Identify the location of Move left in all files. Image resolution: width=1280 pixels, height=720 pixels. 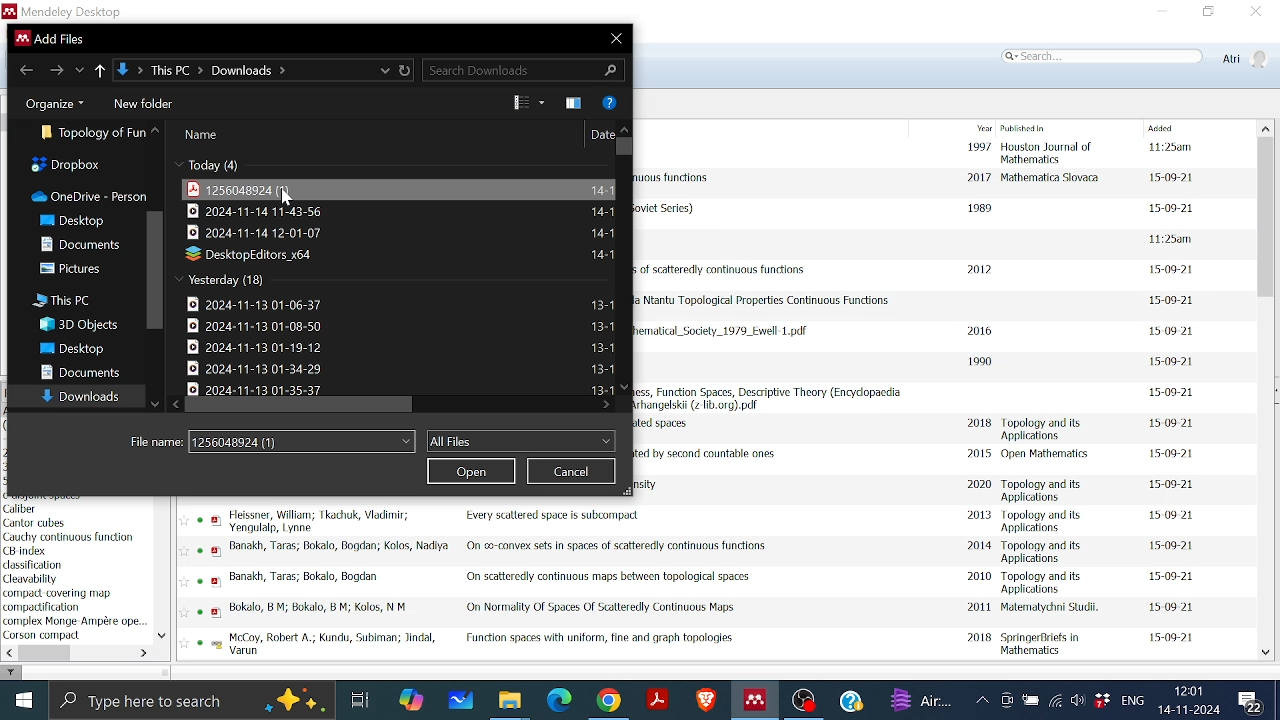
(174, 406).